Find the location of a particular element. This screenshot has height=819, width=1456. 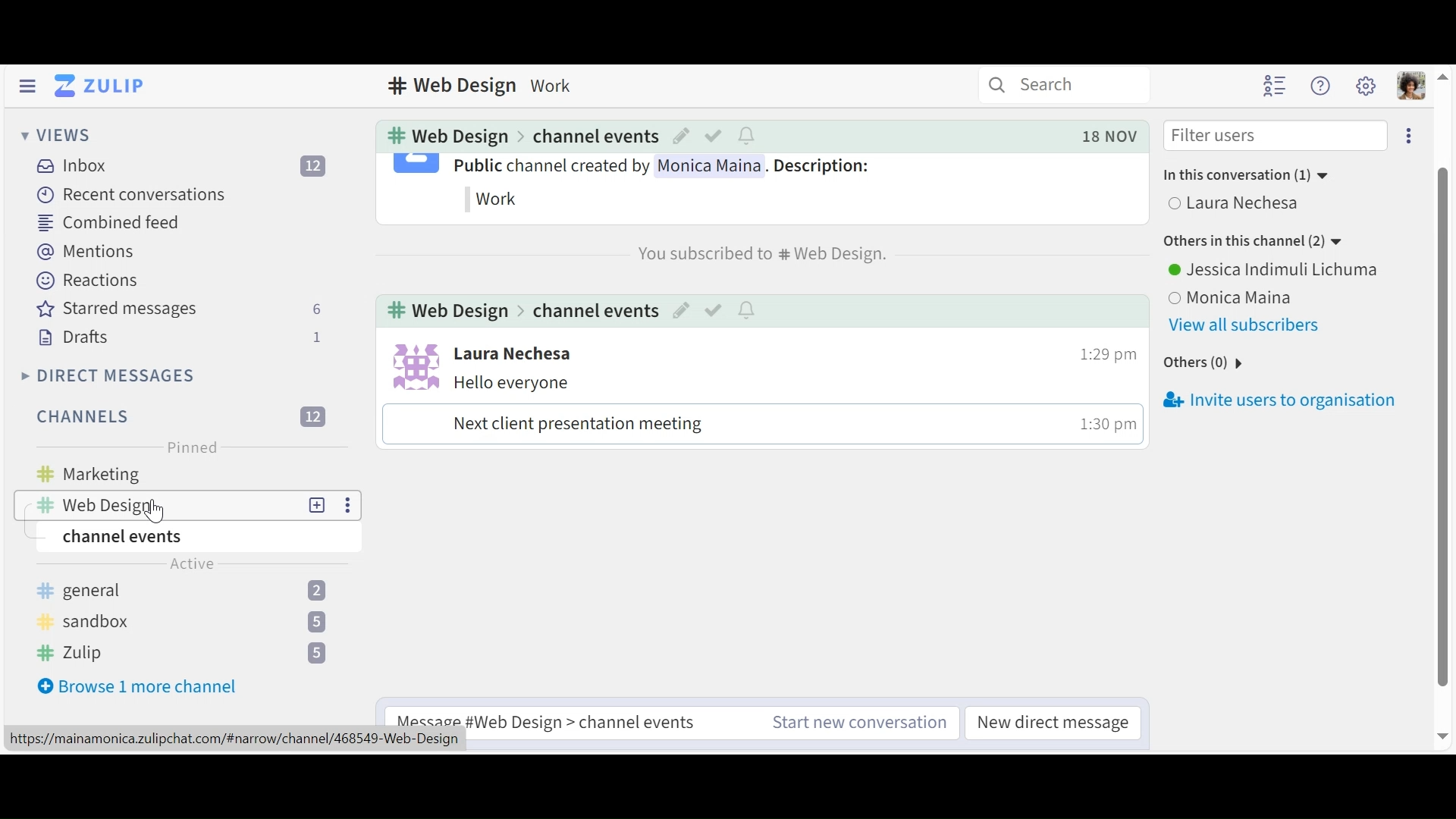

Edit is located at coordinates (682, 136).